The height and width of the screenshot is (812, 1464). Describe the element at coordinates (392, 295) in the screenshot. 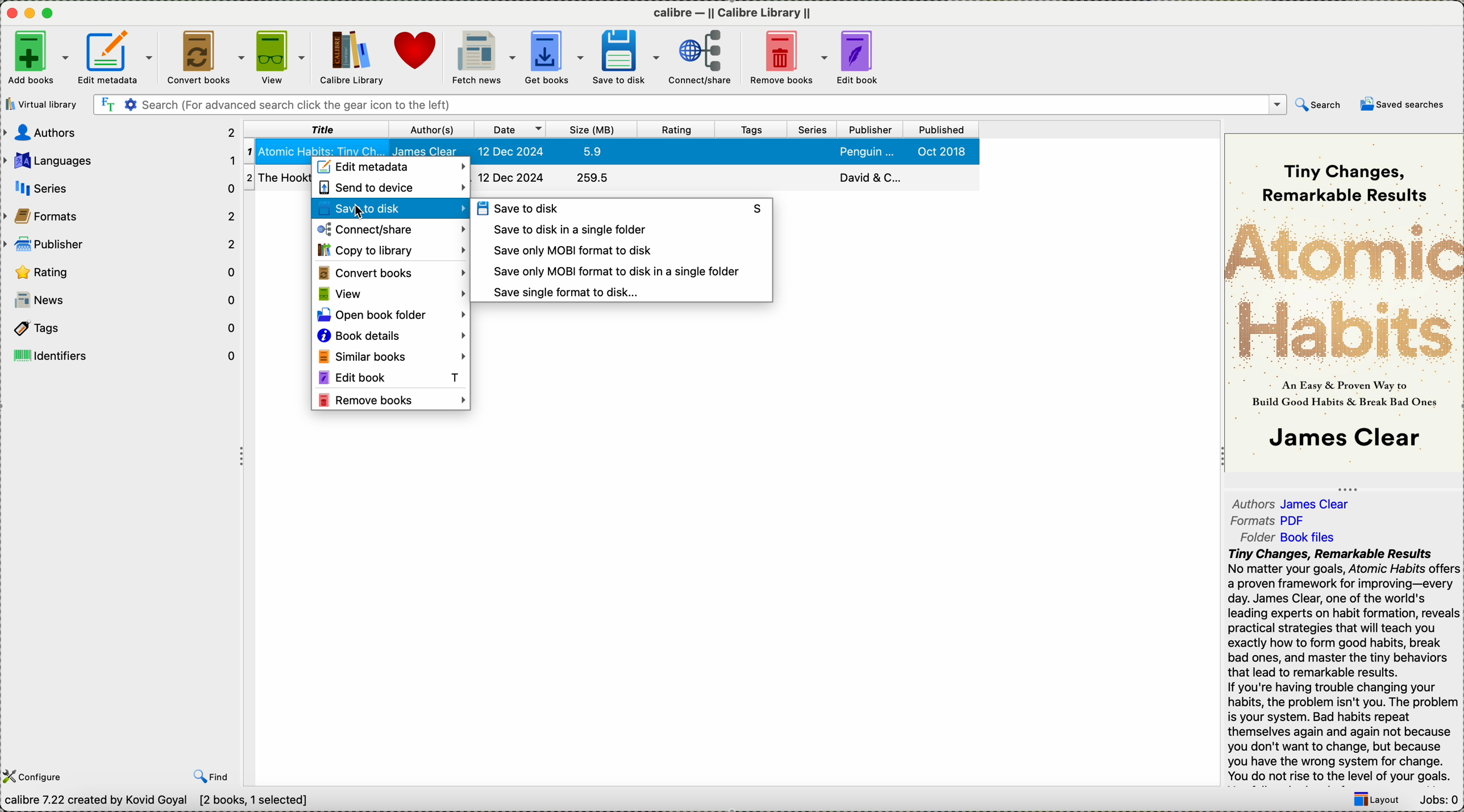

I see `view` at that location.